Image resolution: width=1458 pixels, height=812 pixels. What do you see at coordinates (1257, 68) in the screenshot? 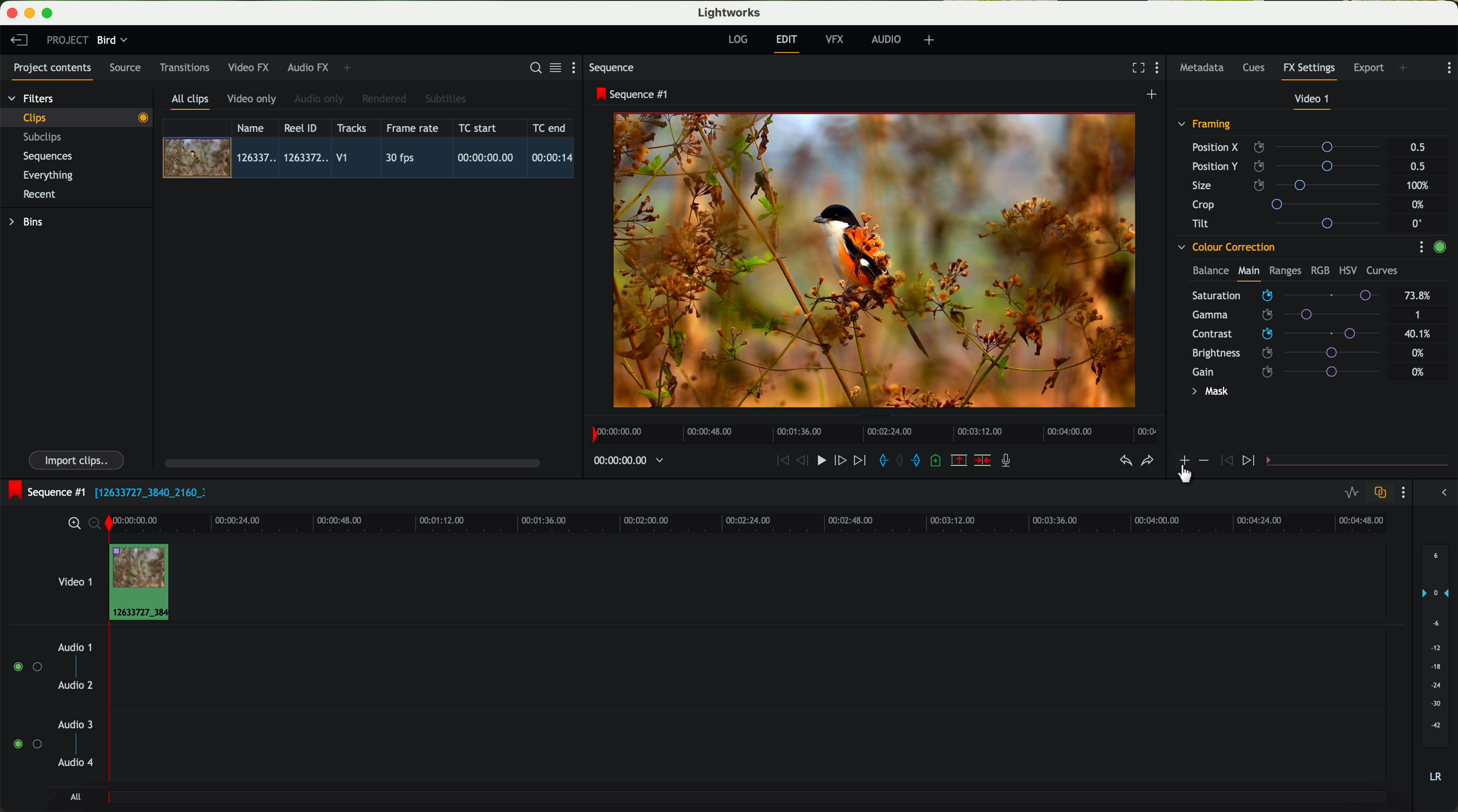
I see `cues` at bounding box center [1257, 68].